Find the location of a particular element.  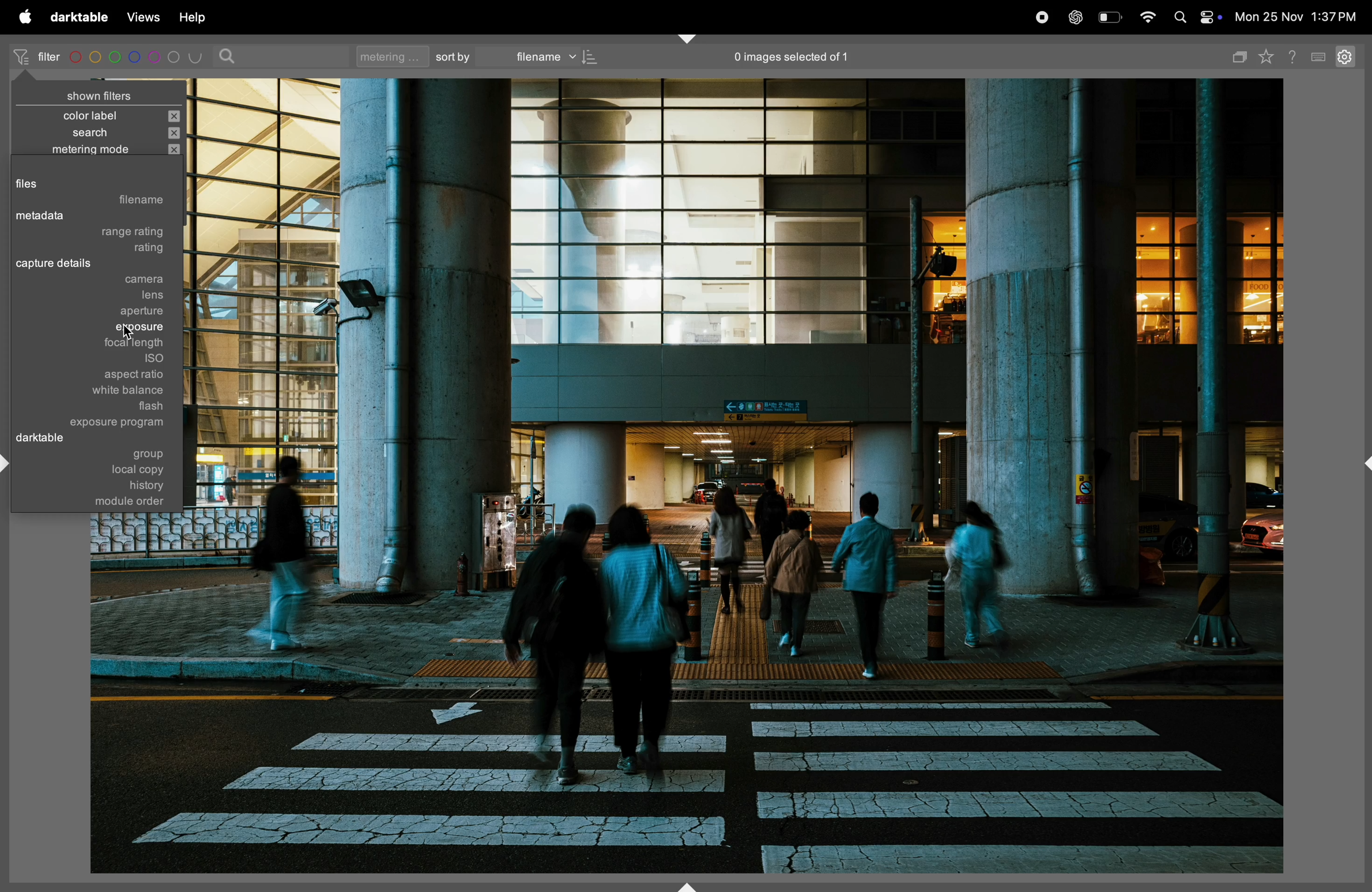

white balance is located at coordinates (129, 392).